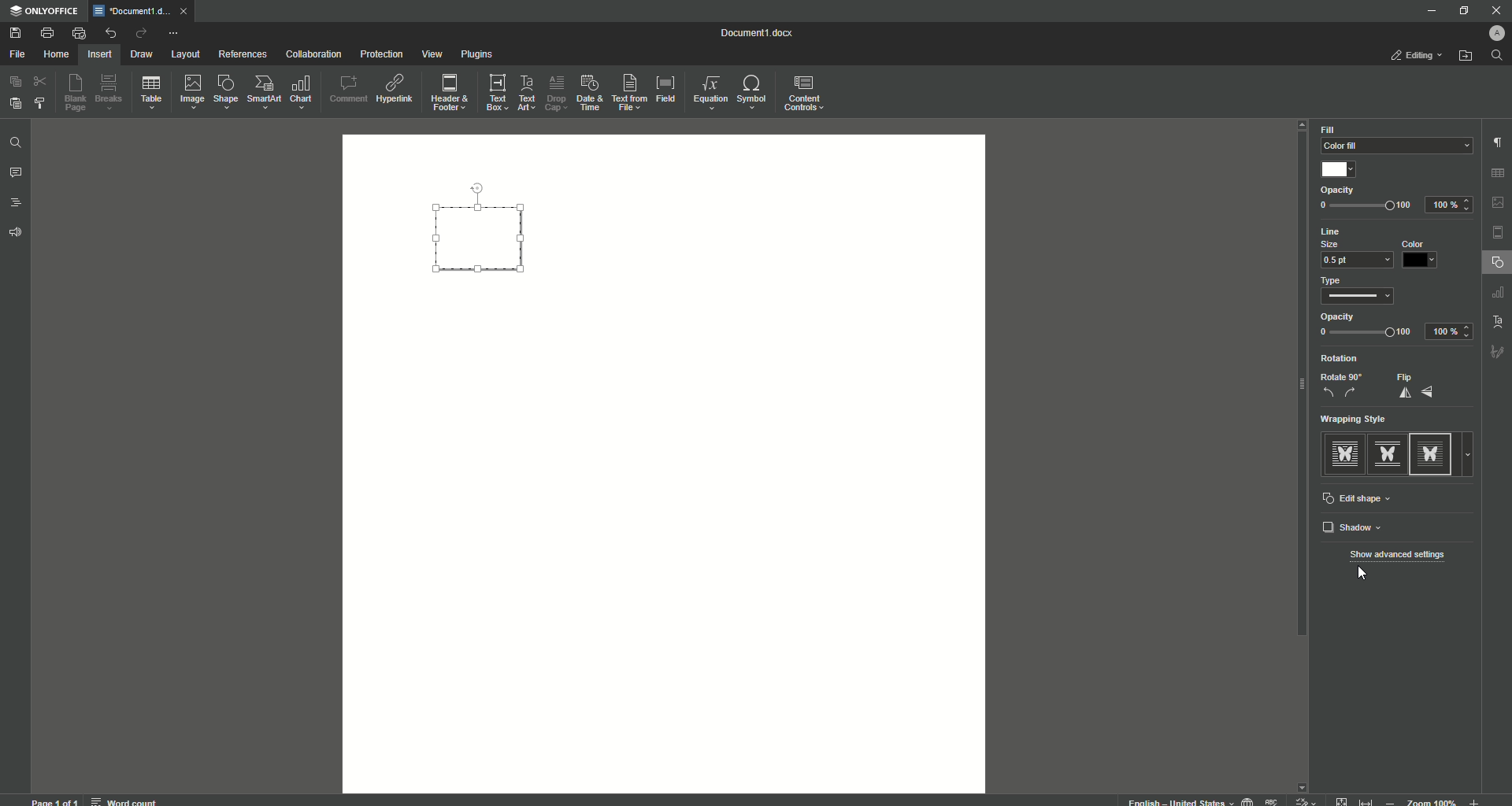 The width and height of the screenshot is (1512, 806). I want to click on Find, so click(15, 144).